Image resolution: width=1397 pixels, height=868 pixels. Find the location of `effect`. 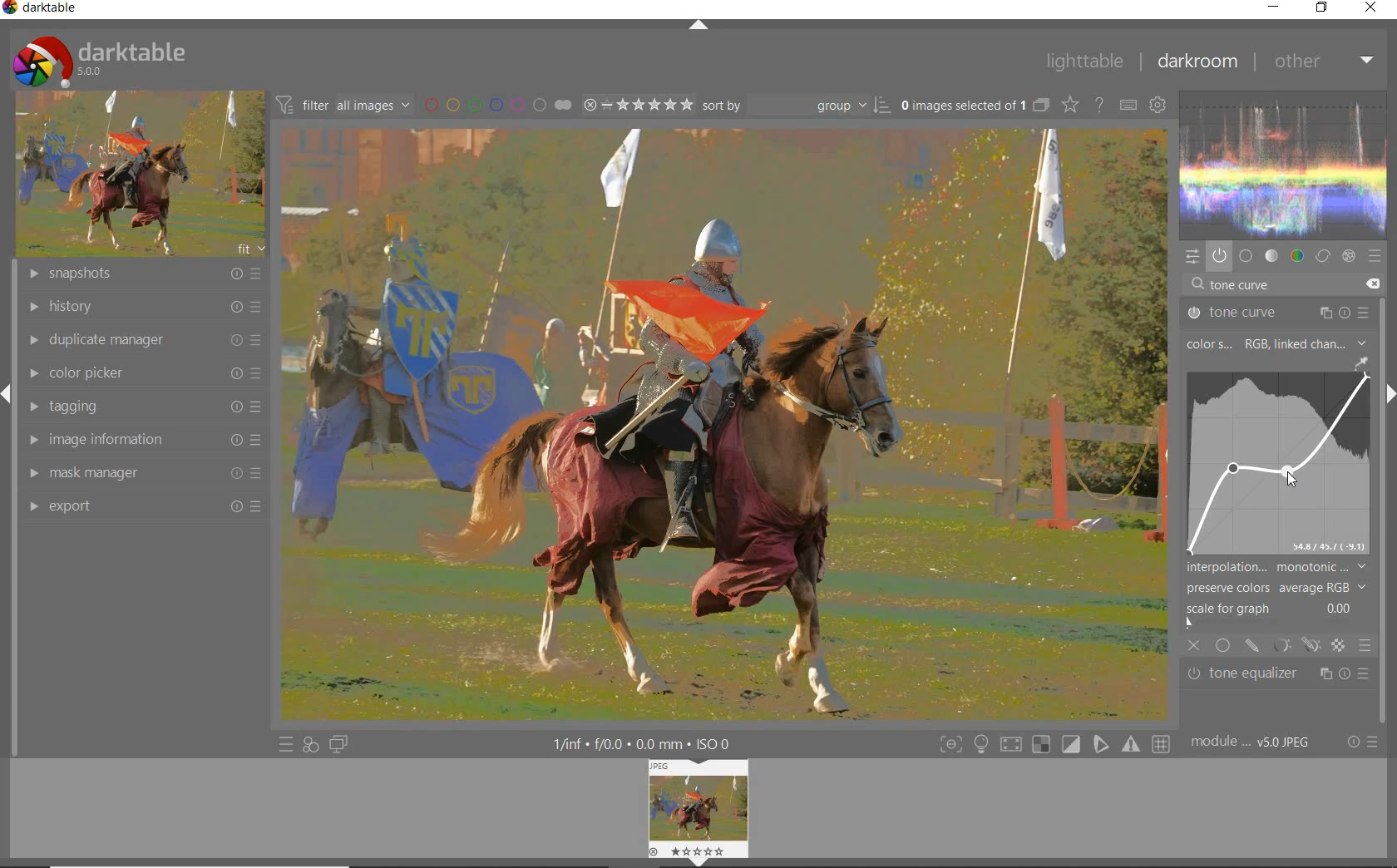

effect is located at coordinates (1347, 256).